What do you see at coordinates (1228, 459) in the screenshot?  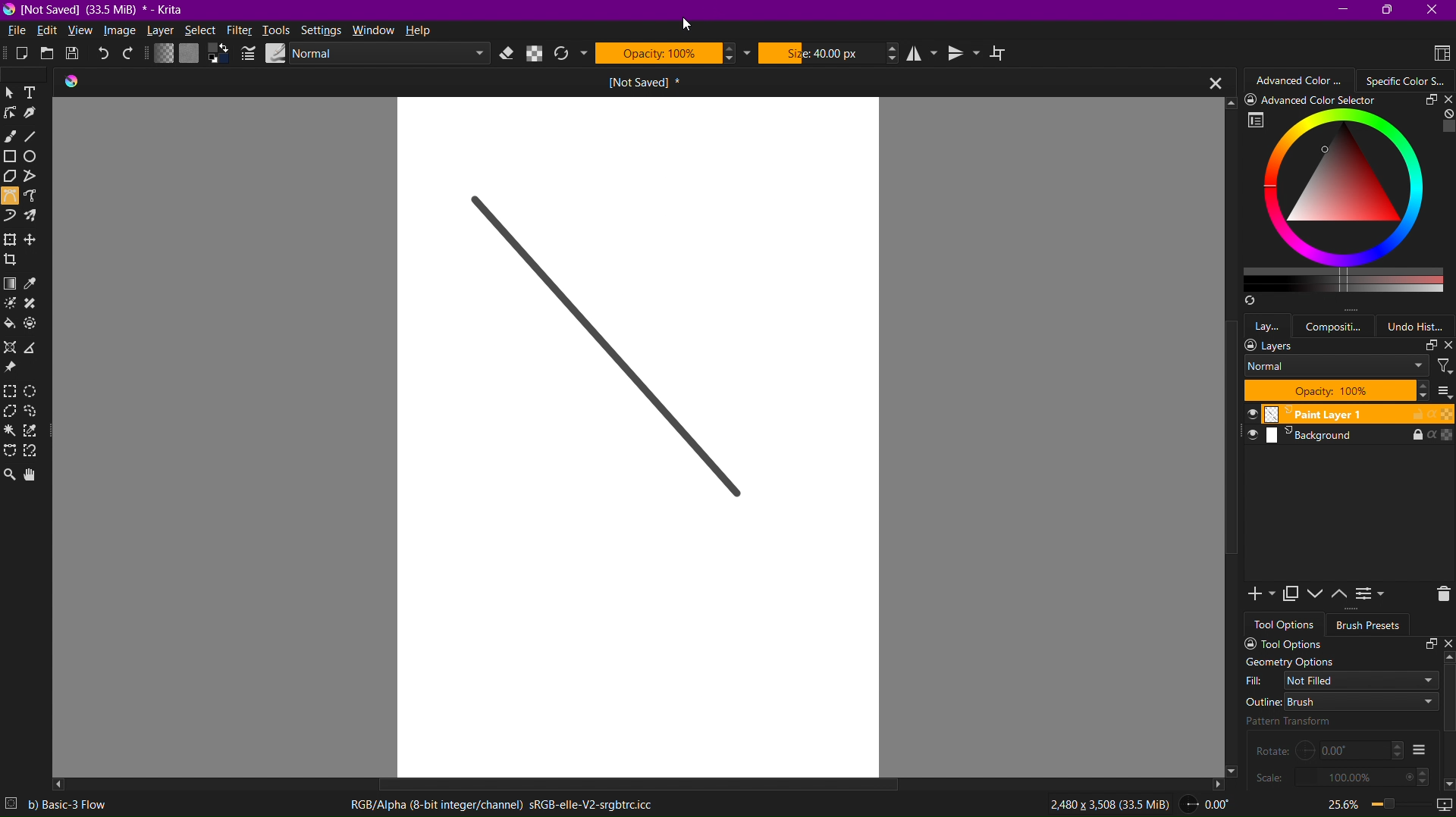 I see `Scrollbar` at bounding box center [1228, 459].